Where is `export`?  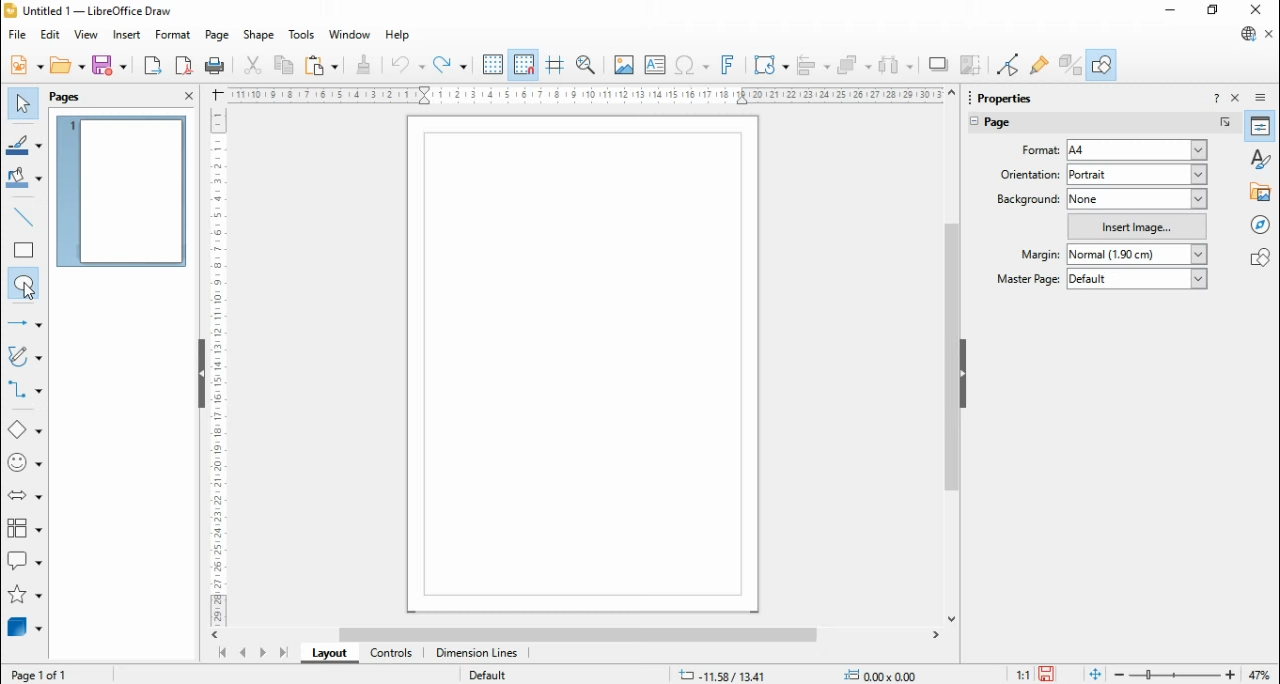 export is located at coordinates (152, 65).